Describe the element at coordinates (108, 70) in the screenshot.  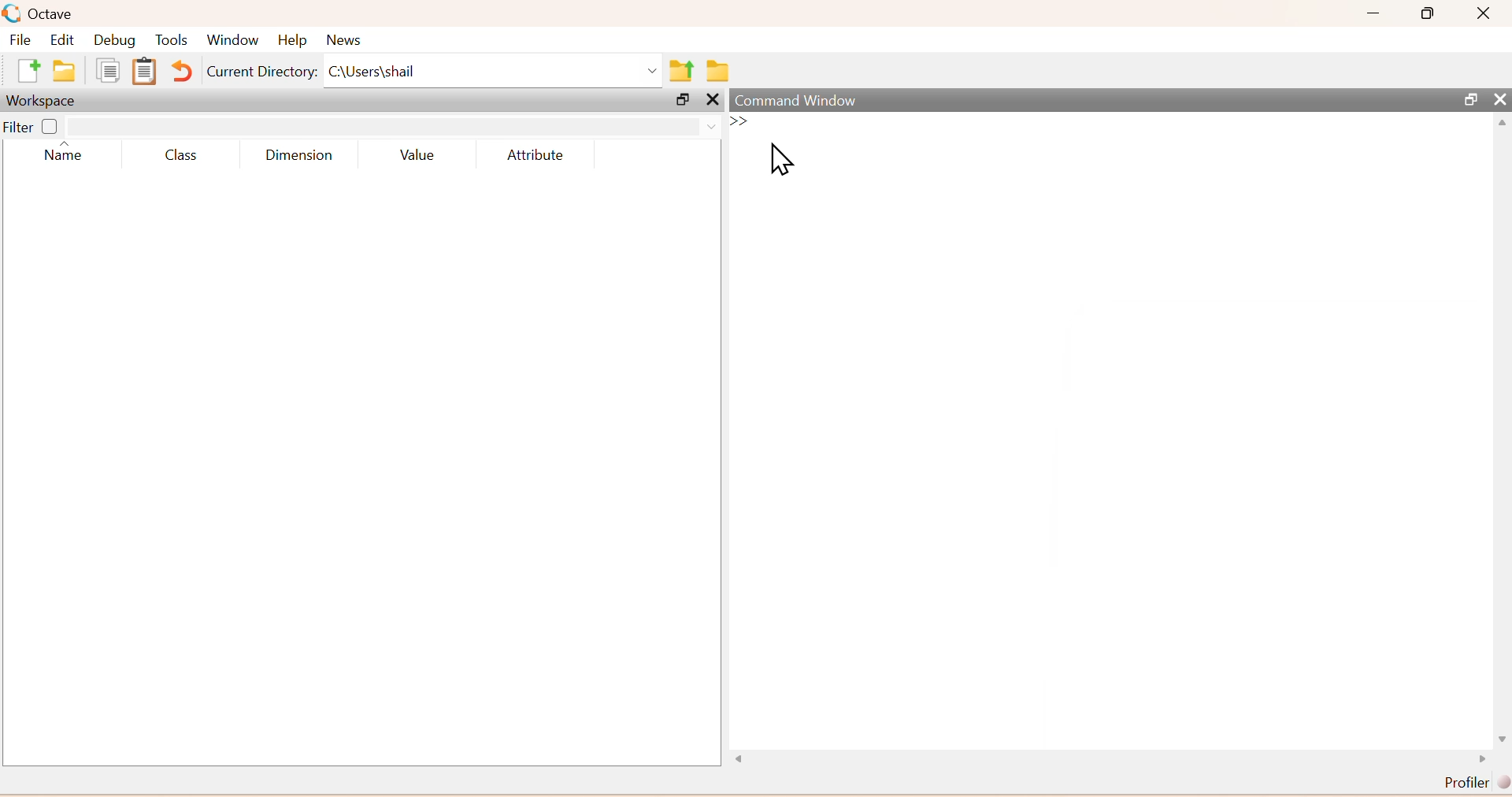
I see `copy` at that location.